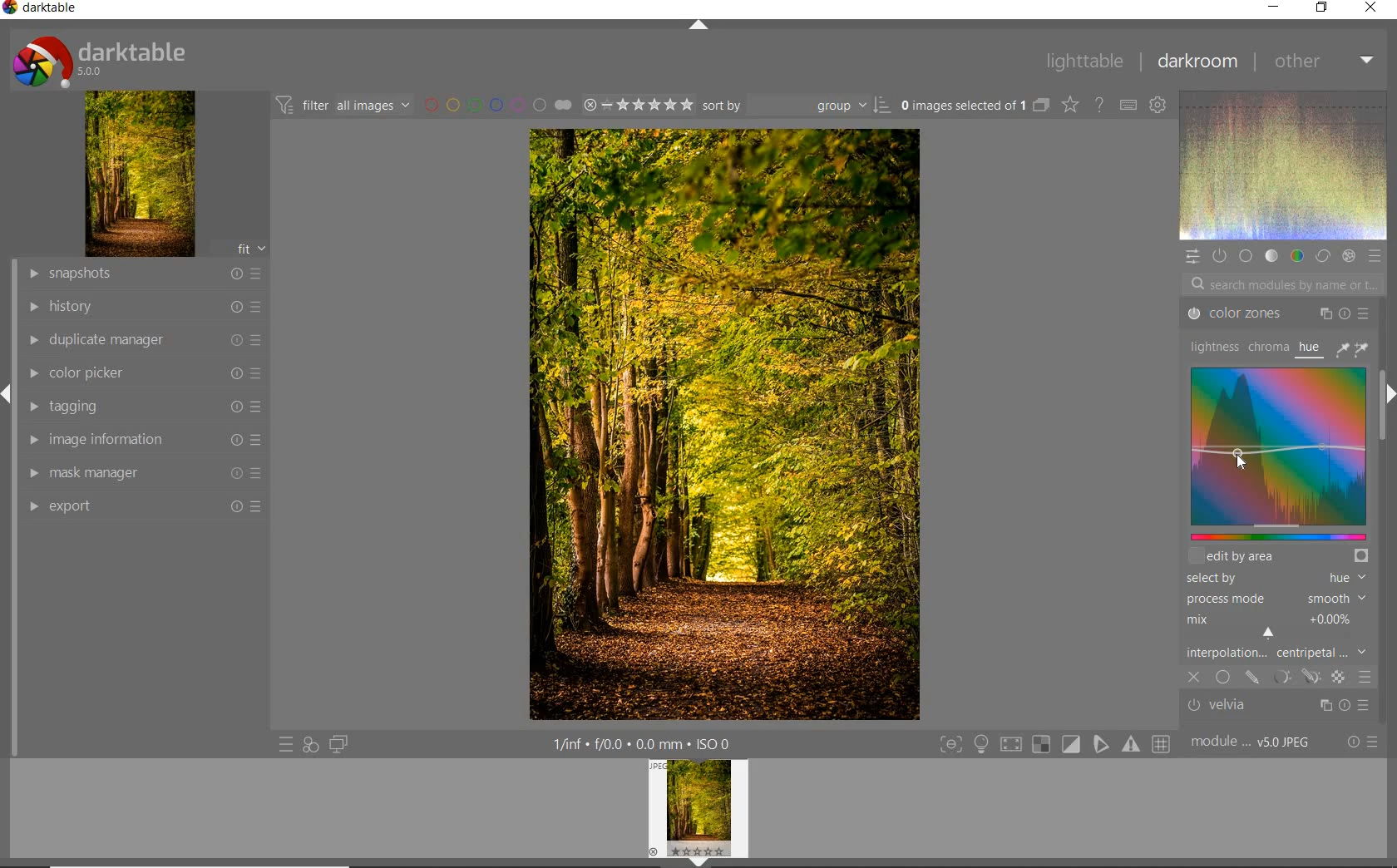  What do you see at coordinates (1356, 348) in the screenshot?
I see `color picker tools` at bounding box center [1356, 348].